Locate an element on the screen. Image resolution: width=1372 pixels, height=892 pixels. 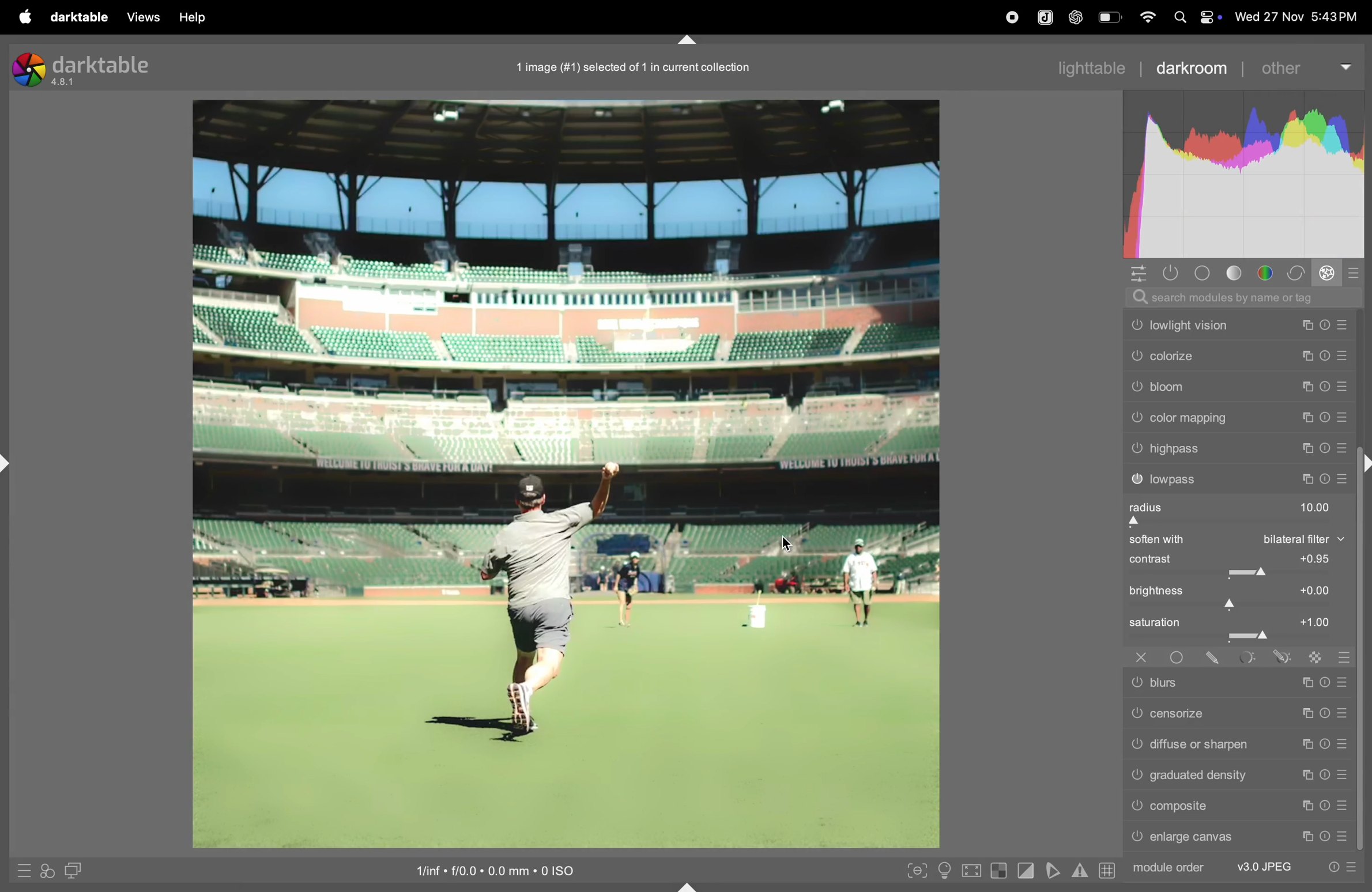
chatgpt is located at coordinates (1074, 18).